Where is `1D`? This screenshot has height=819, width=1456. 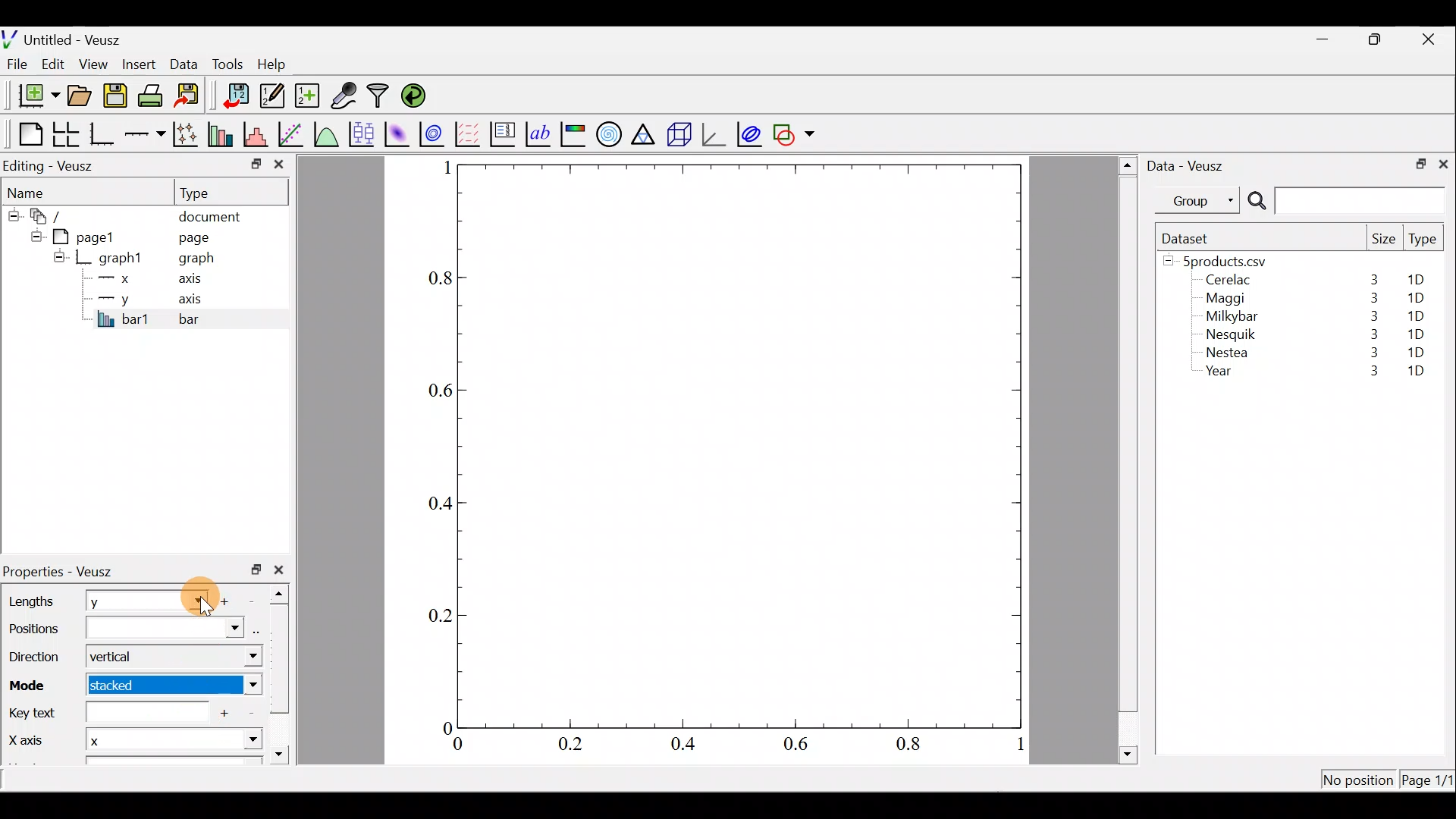
1D is located at coordinates (1418, 331).